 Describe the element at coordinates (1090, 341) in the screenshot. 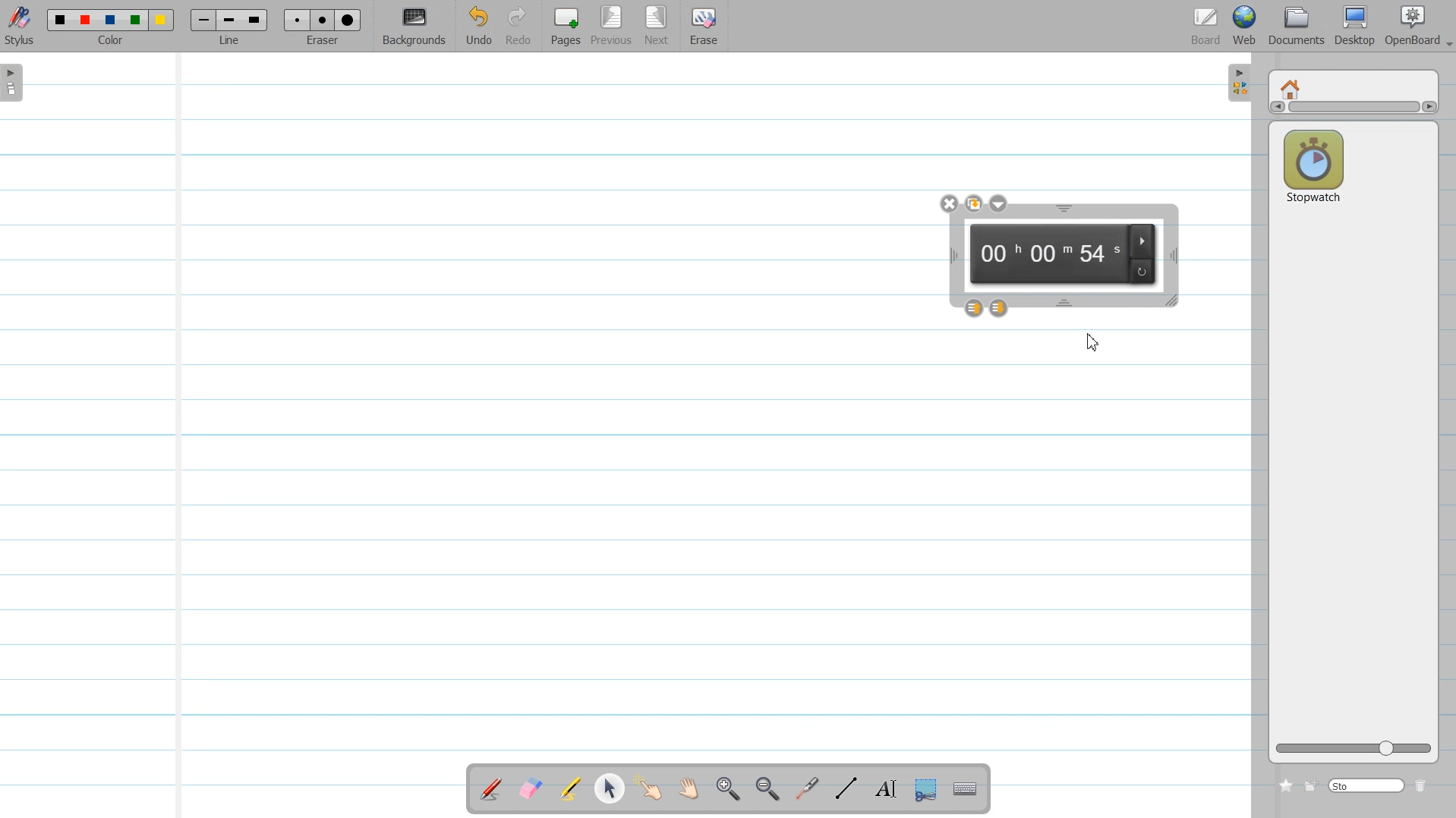

I see `Cursor` at that location.